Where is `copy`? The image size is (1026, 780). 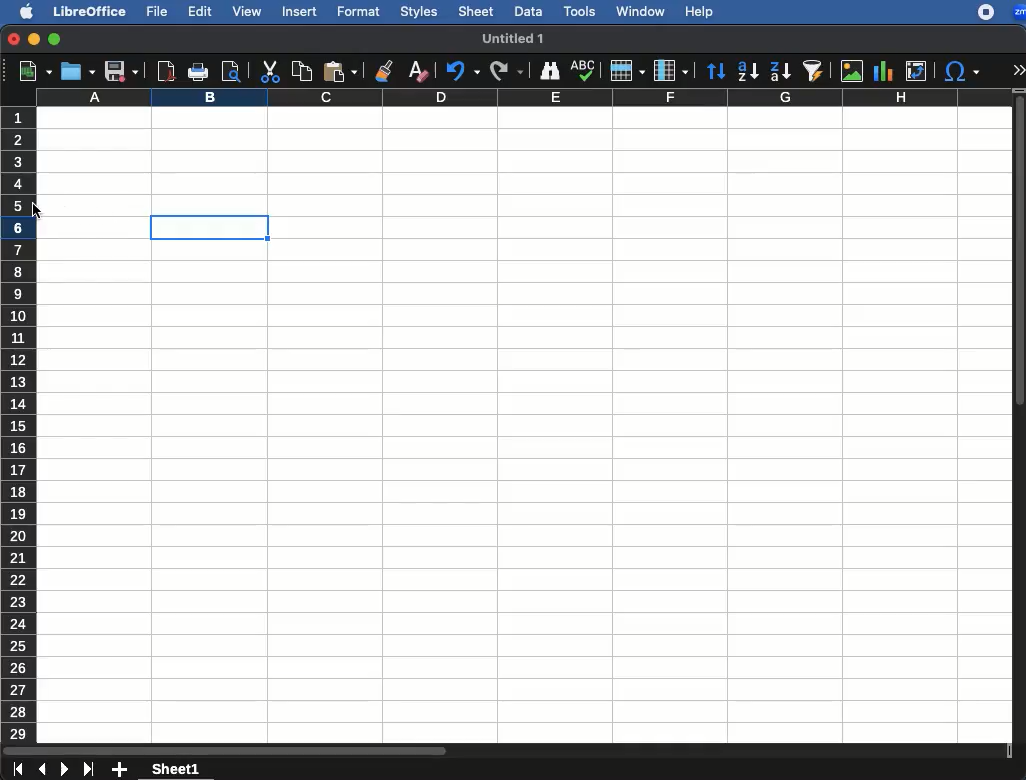 copy is located at coordinates (299, 72).